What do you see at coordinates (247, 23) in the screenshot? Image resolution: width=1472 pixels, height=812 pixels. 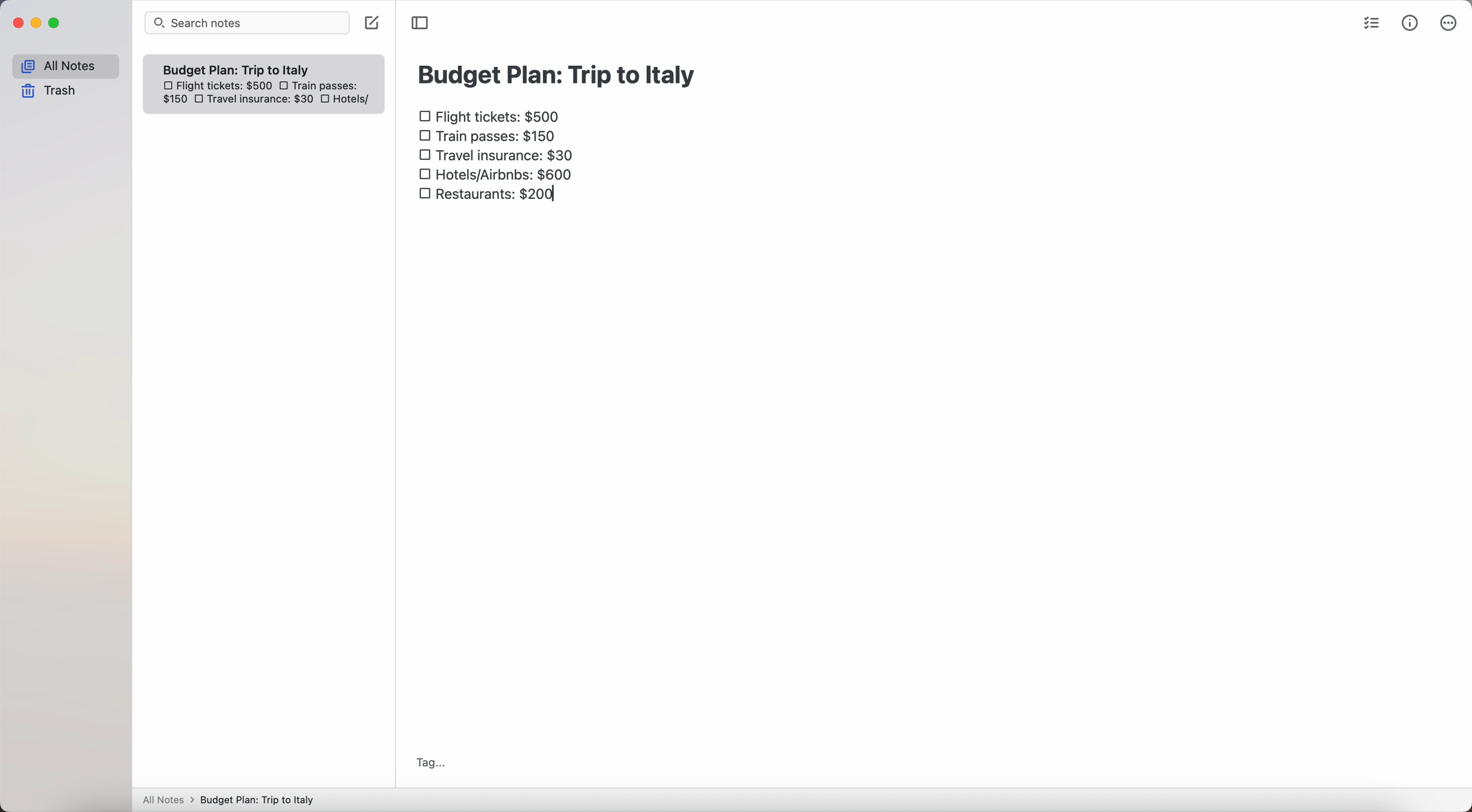 I see `search bar` at bounding box center [247, 23].